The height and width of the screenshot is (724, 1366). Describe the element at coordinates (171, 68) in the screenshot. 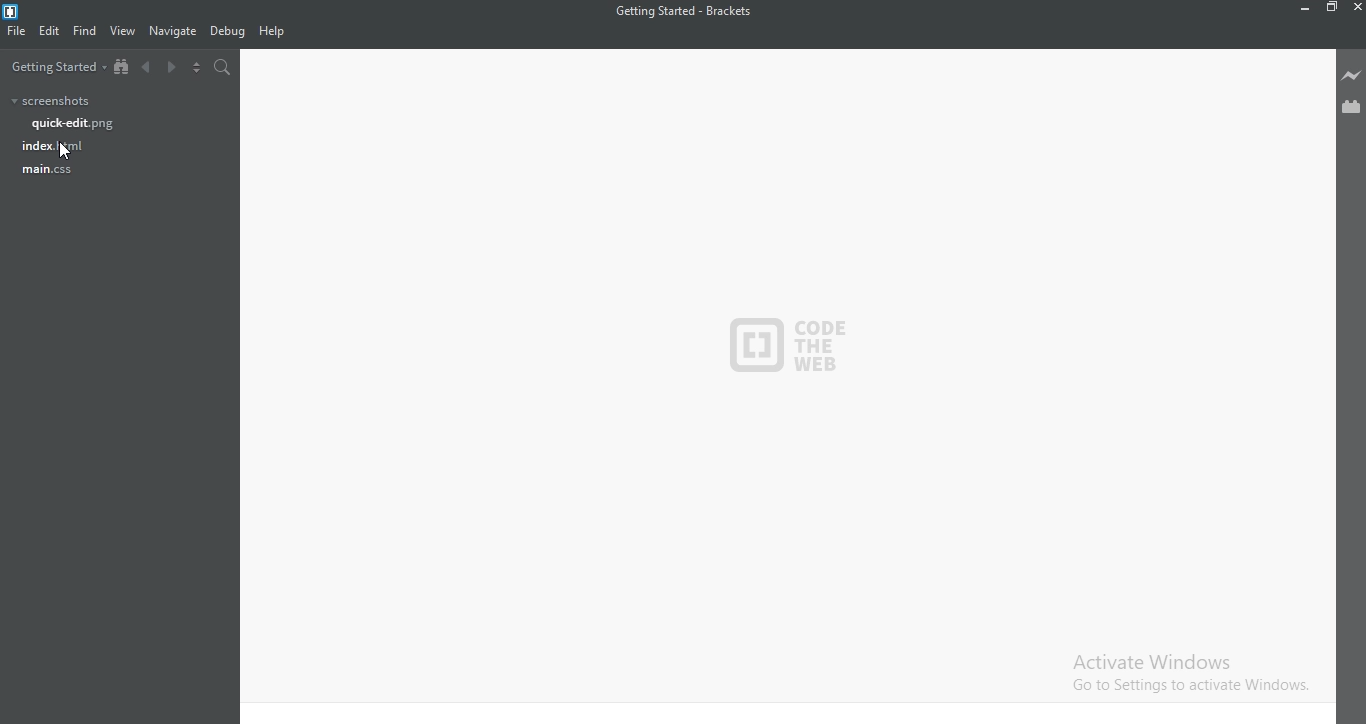

I see `Next document` at that location.